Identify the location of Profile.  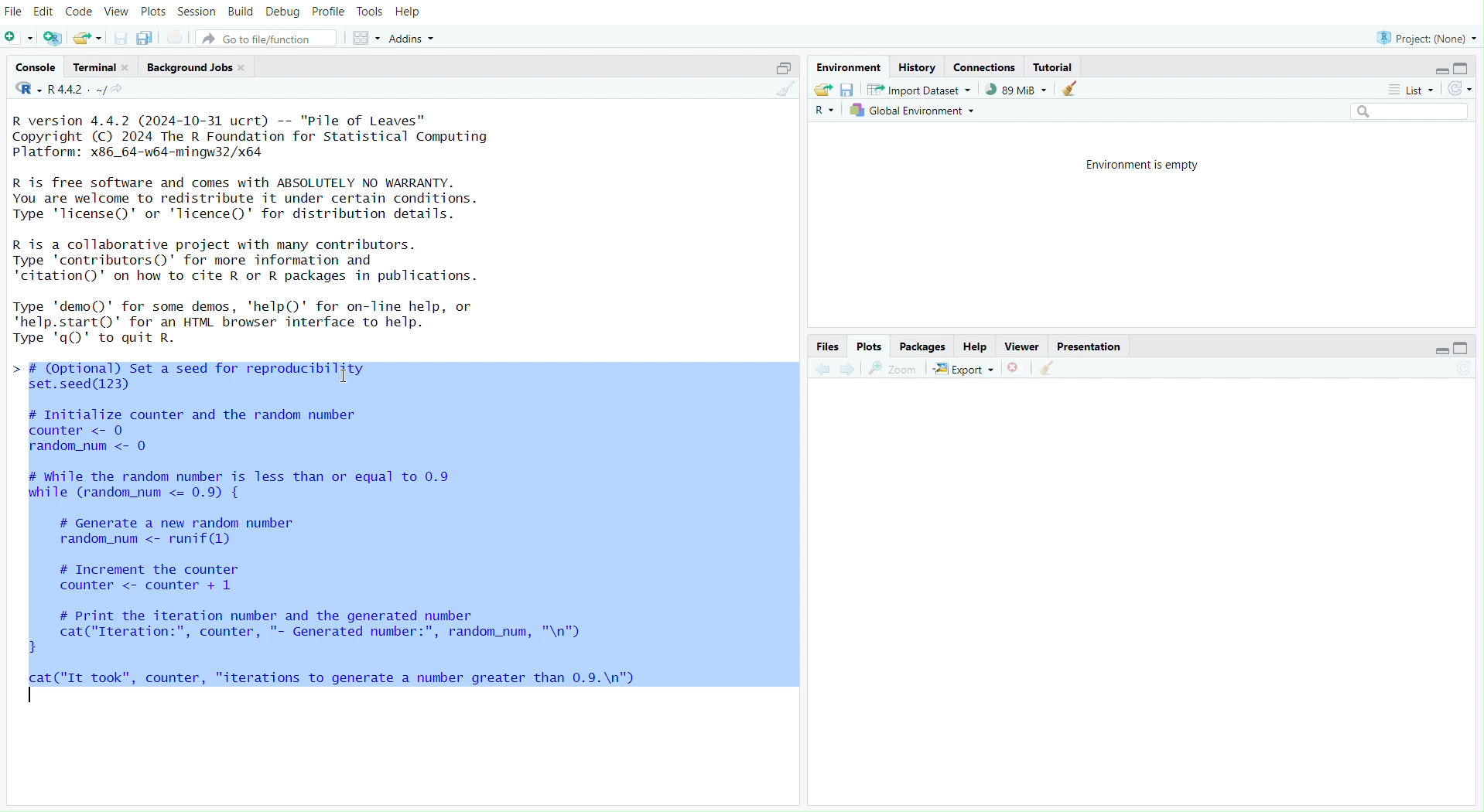
(327, 12).